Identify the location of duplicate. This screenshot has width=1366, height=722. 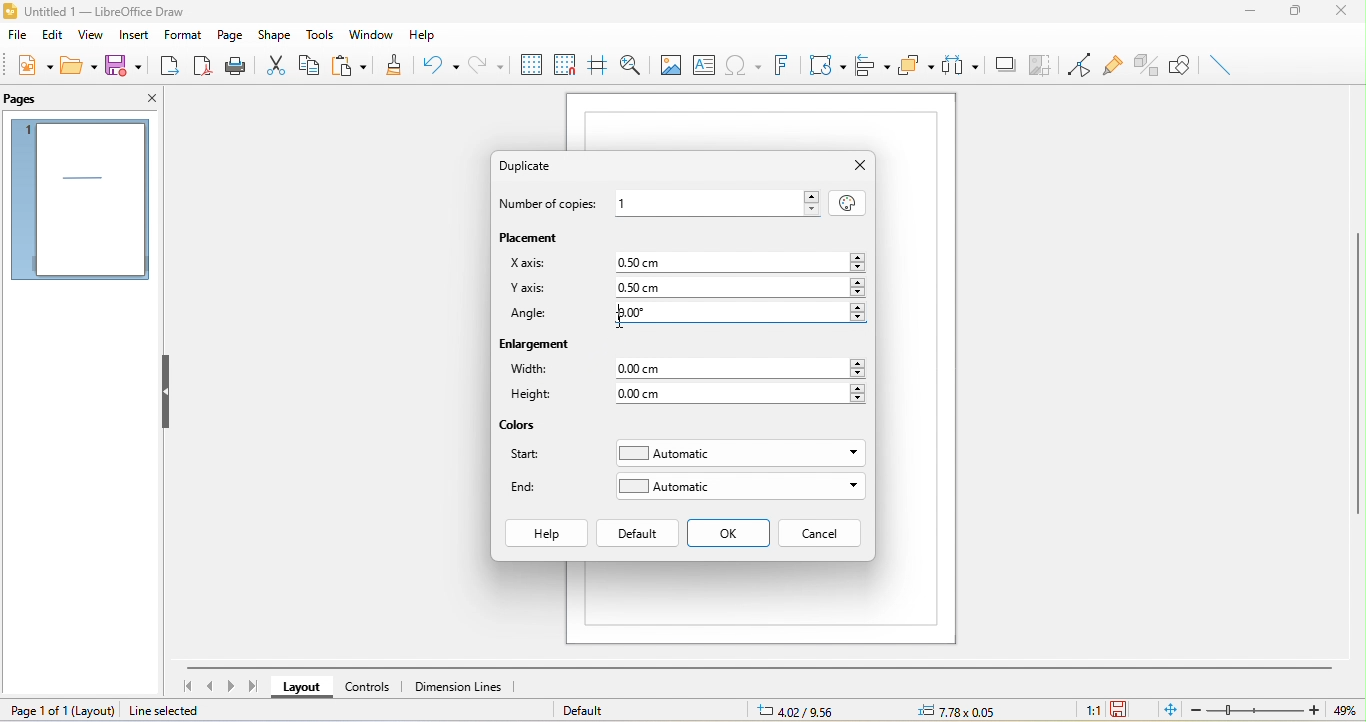
(535, 165).